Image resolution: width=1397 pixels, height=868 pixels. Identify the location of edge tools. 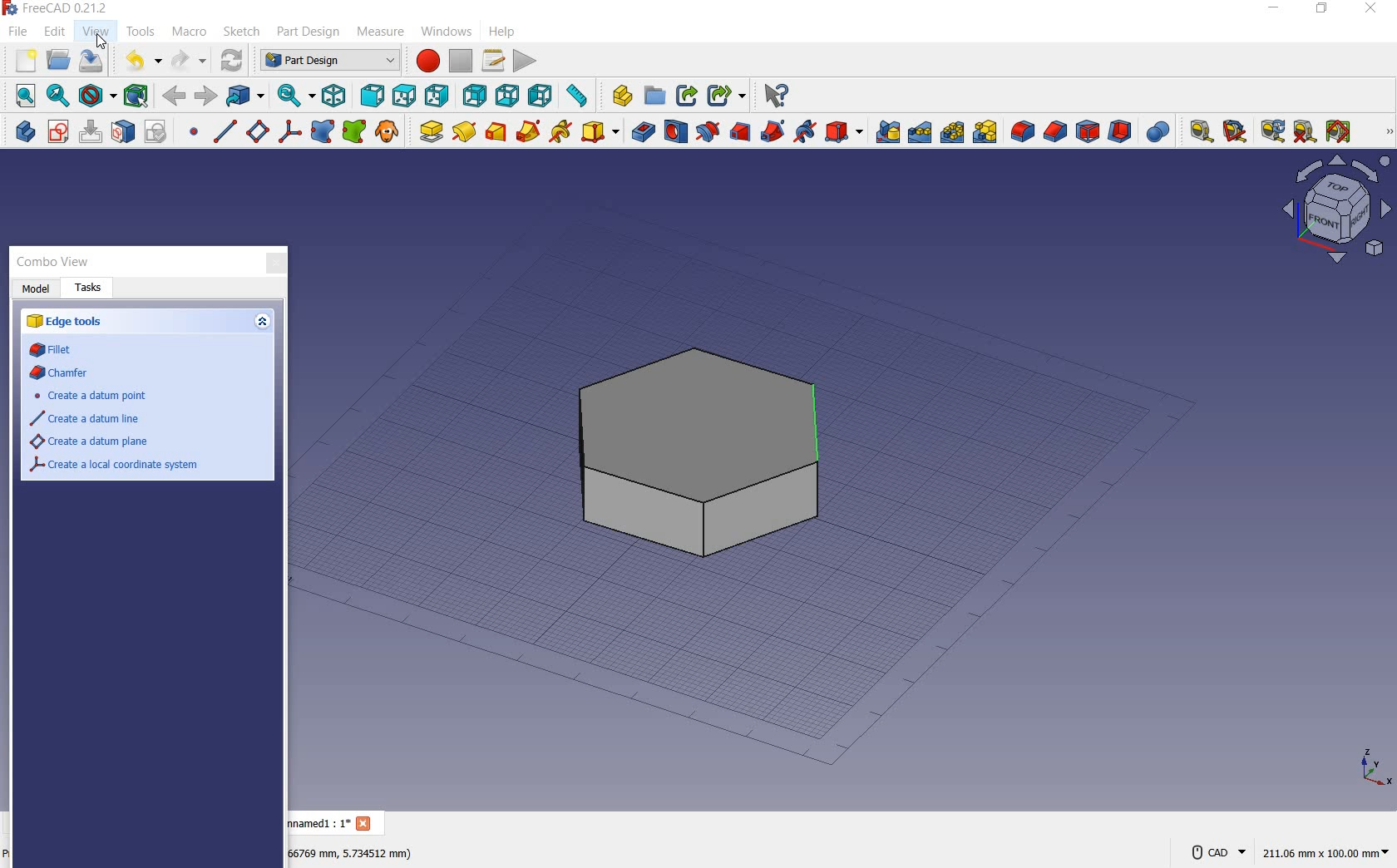
(74, 323).